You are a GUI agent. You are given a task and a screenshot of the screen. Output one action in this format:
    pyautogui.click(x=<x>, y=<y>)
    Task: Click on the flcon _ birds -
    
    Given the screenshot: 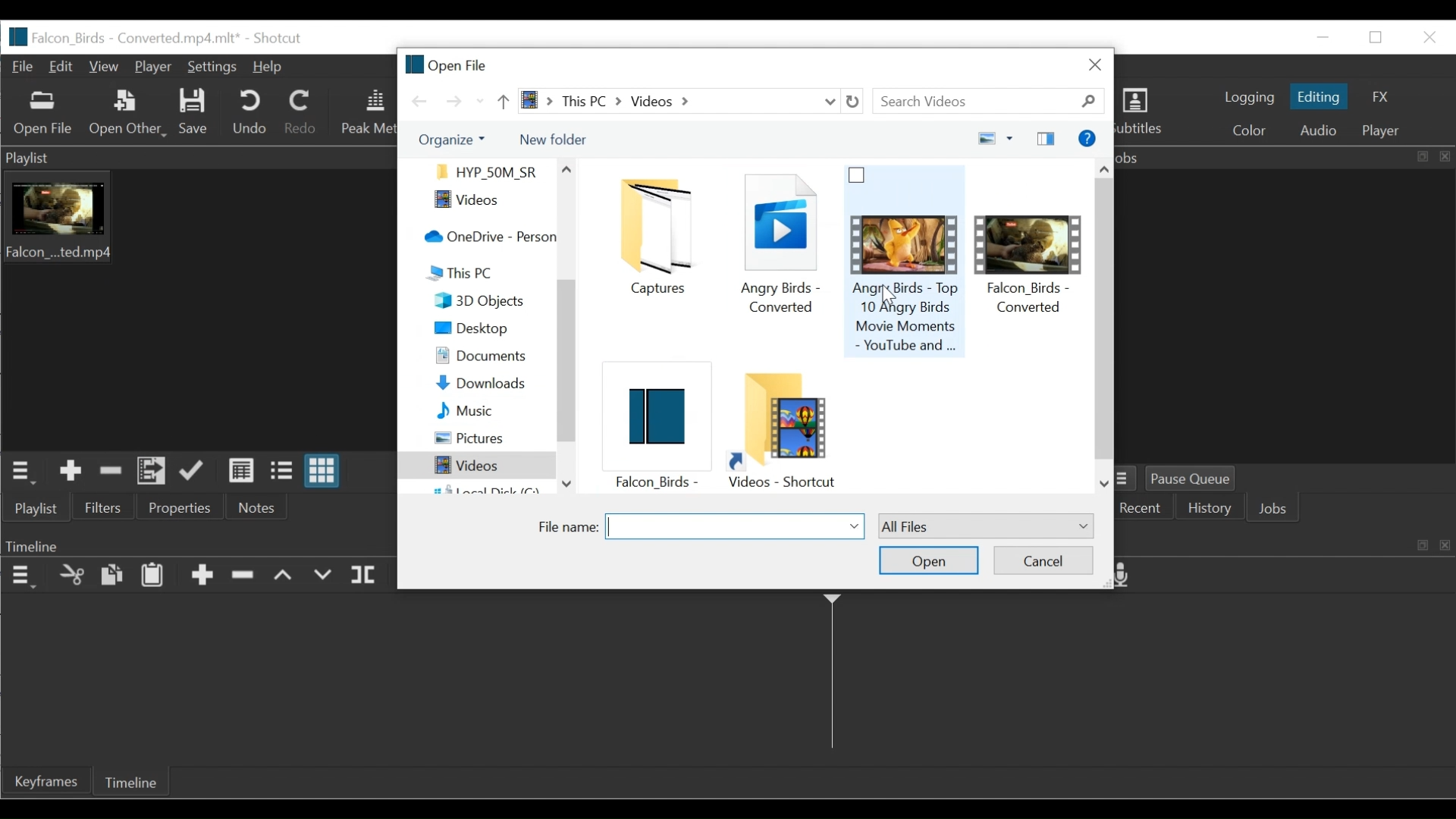 What is the action you would take?
    pyautogui.click(x=653, y=430)
    